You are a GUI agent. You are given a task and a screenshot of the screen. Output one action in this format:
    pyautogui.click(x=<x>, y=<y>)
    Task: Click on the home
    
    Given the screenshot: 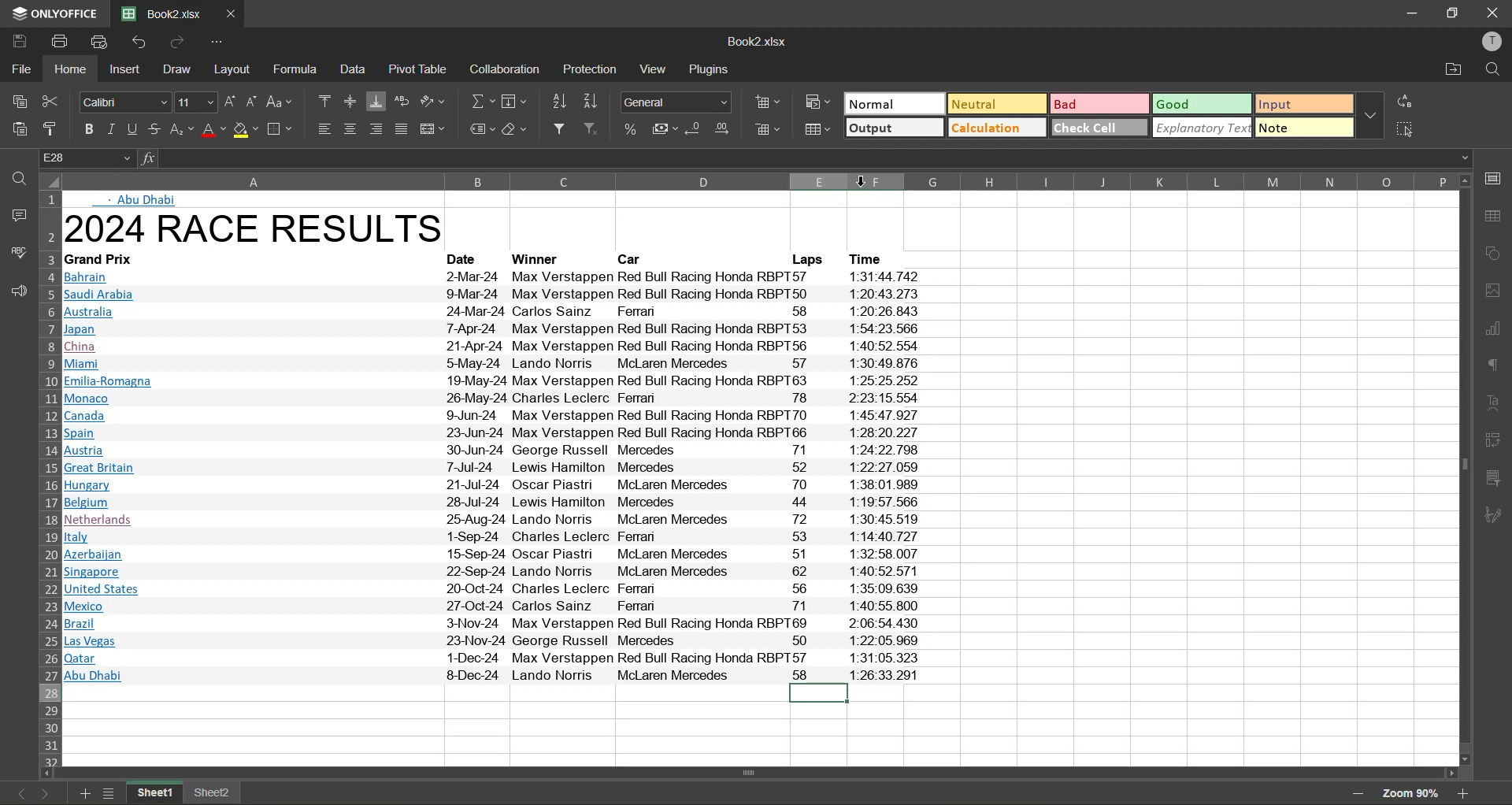 What is the action you would take?
    pyautogui.click(x=72, y=69)
    